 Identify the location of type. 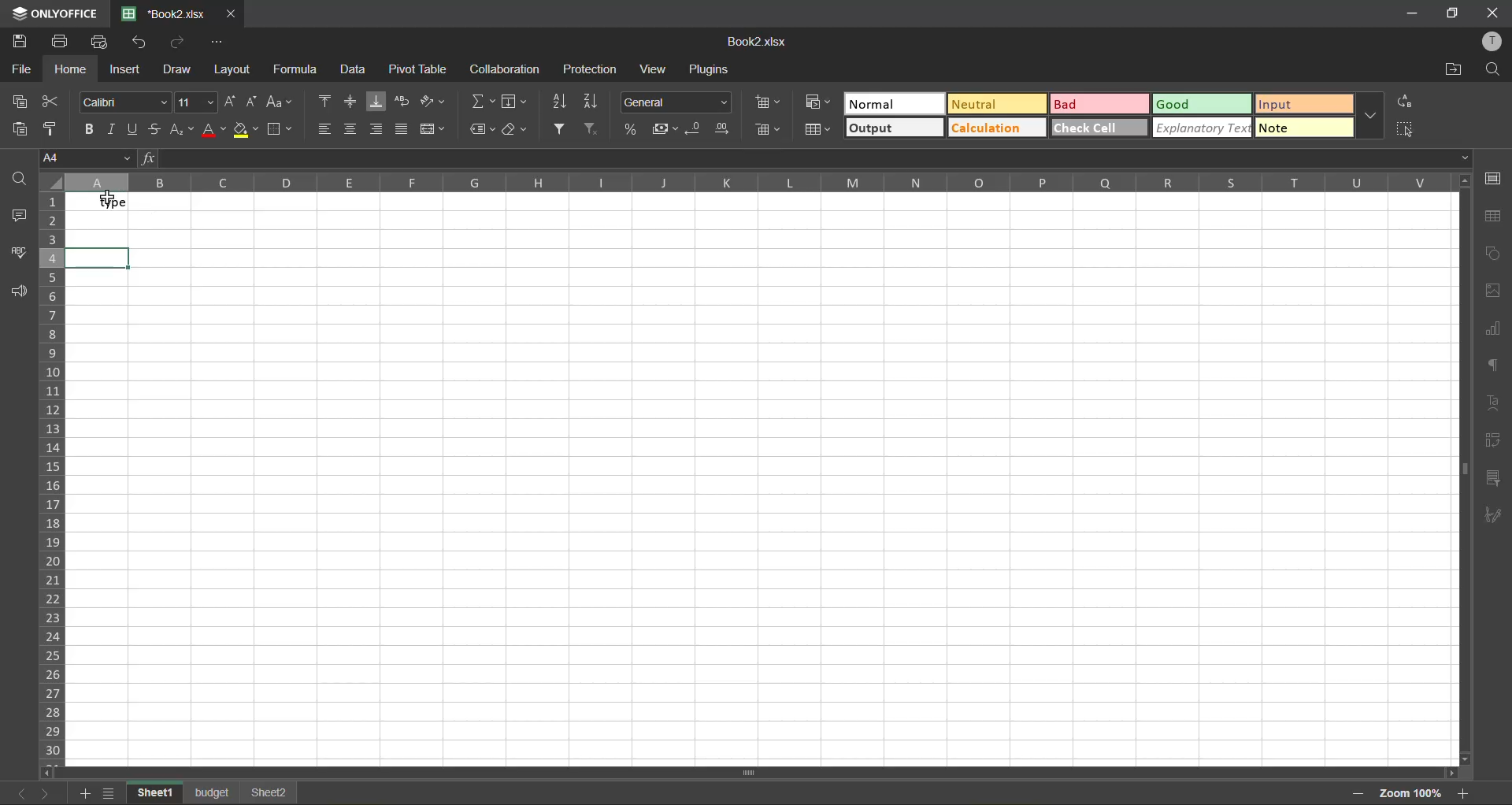
(102, 201).